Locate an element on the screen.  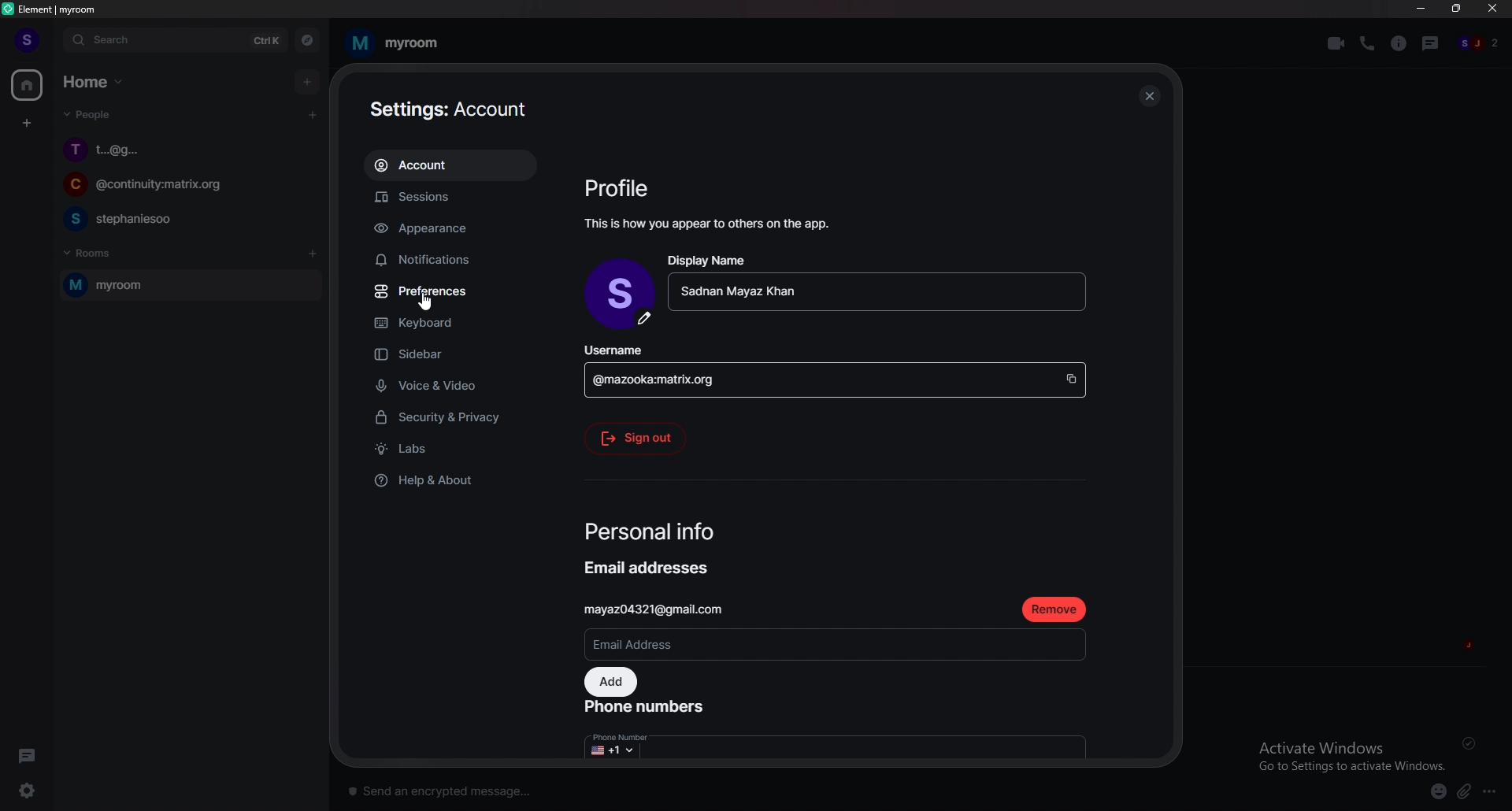
add rooms is located at coordinates (313, 254).